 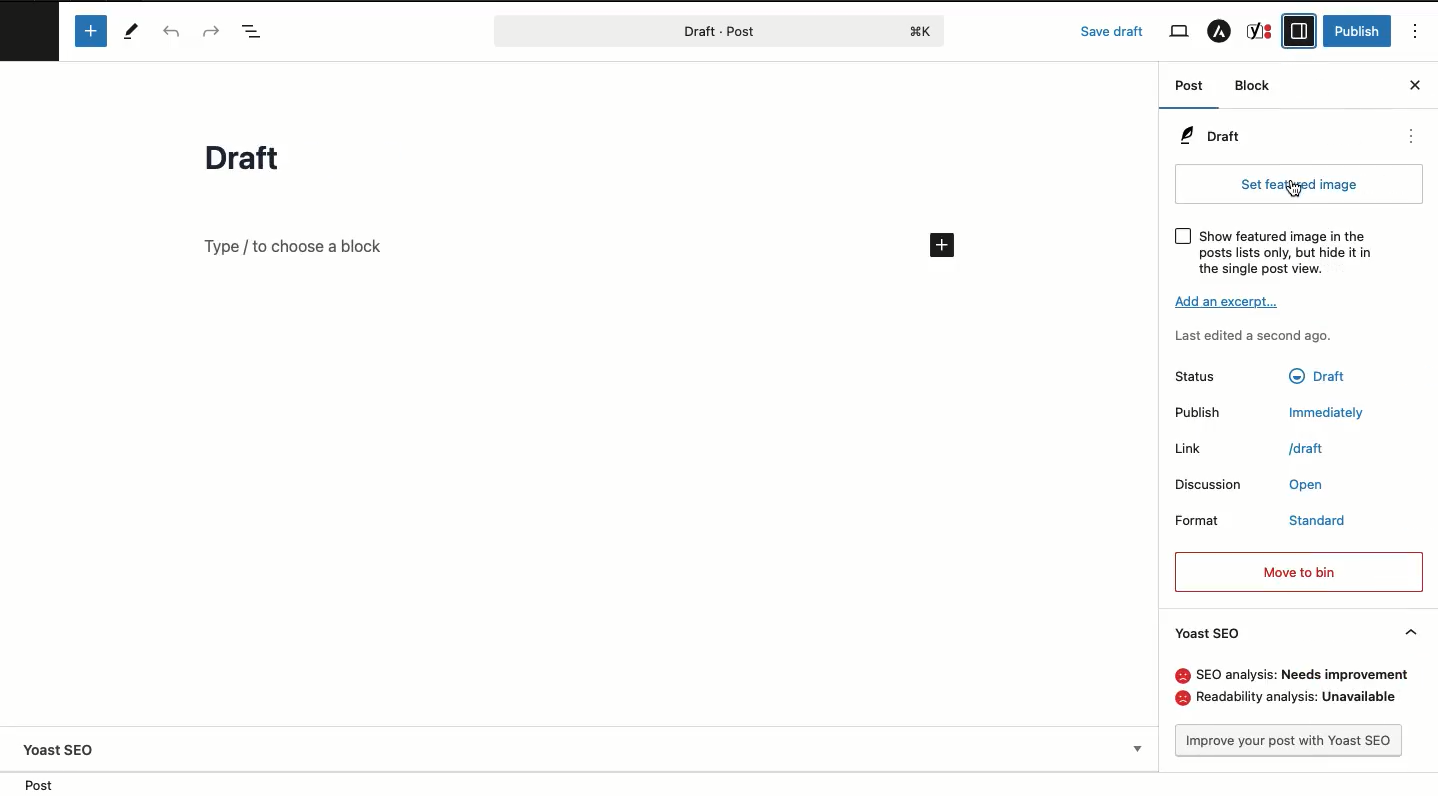 What do you see at coordinates (1194, 520) in the screenshot?
I see `Format ` at bounding box center [1194, 520].